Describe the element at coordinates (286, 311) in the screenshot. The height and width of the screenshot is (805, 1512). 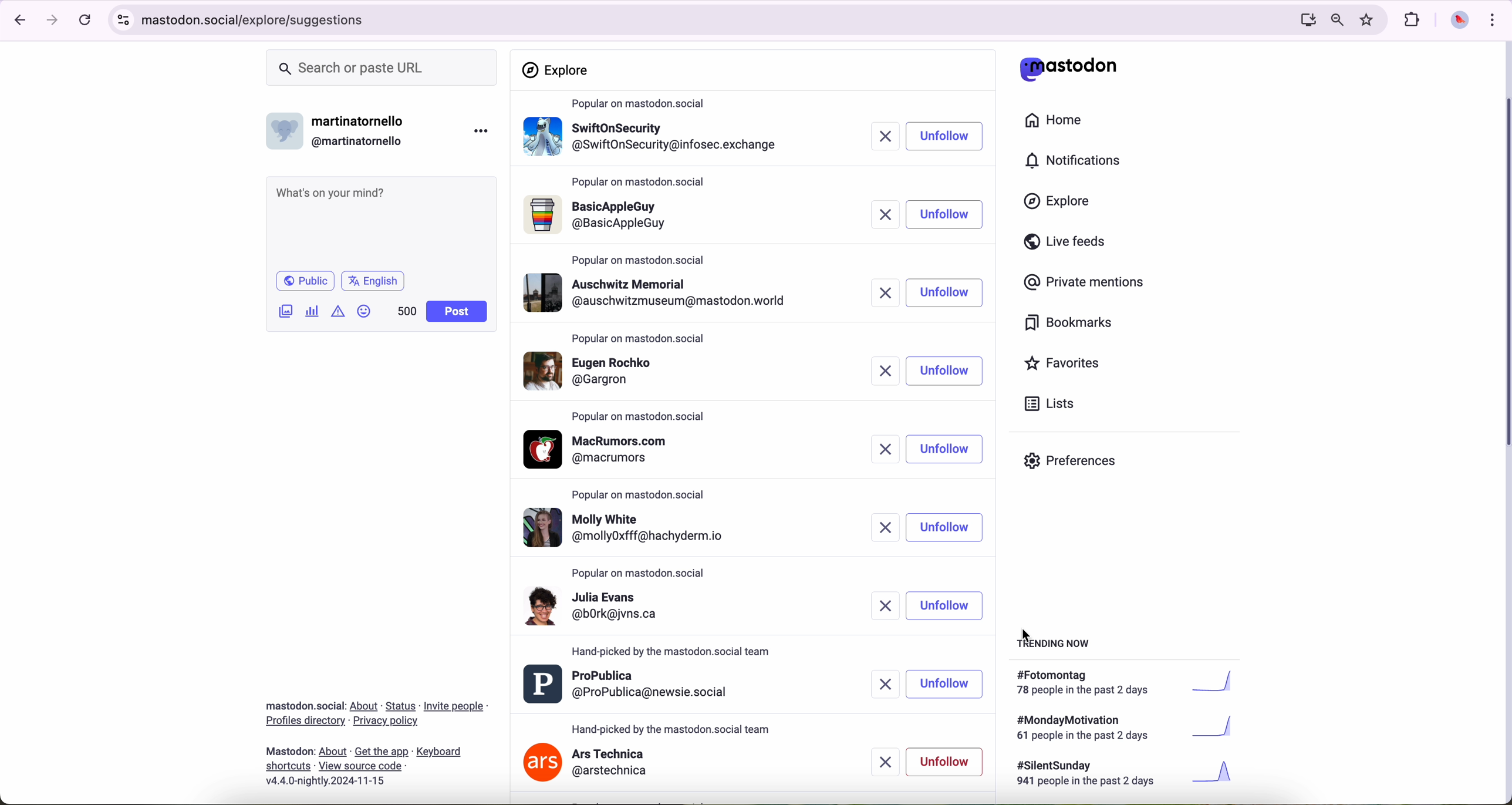
I see `attach image` at that location.